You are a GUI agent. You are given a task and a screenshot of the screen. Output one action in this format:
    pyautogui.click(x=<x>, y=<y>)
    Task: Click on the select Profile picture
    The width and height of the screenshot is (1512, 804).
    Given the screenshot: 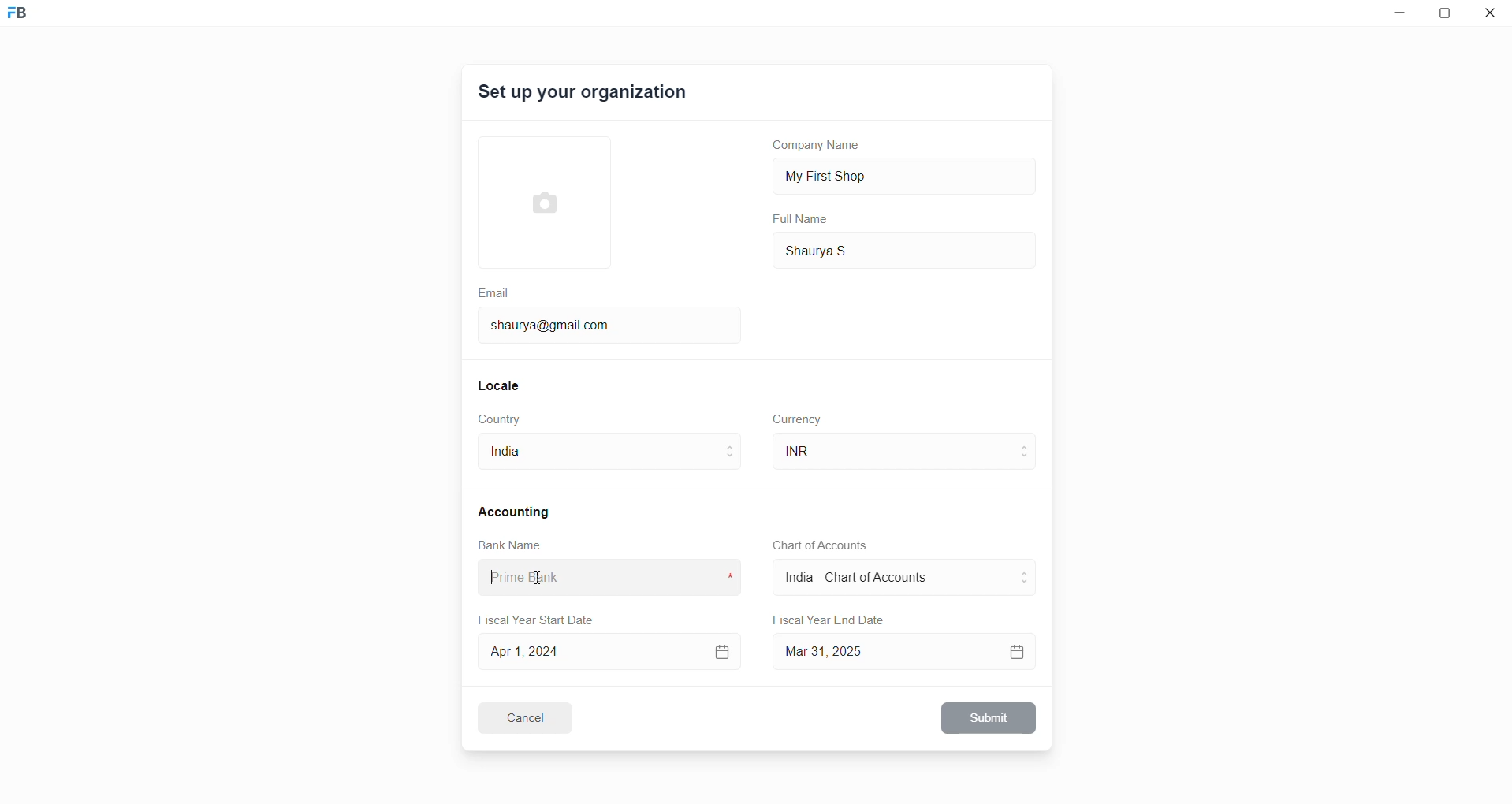 What is the action you would take?
    pyautogui.click(x=537, y=200)
    